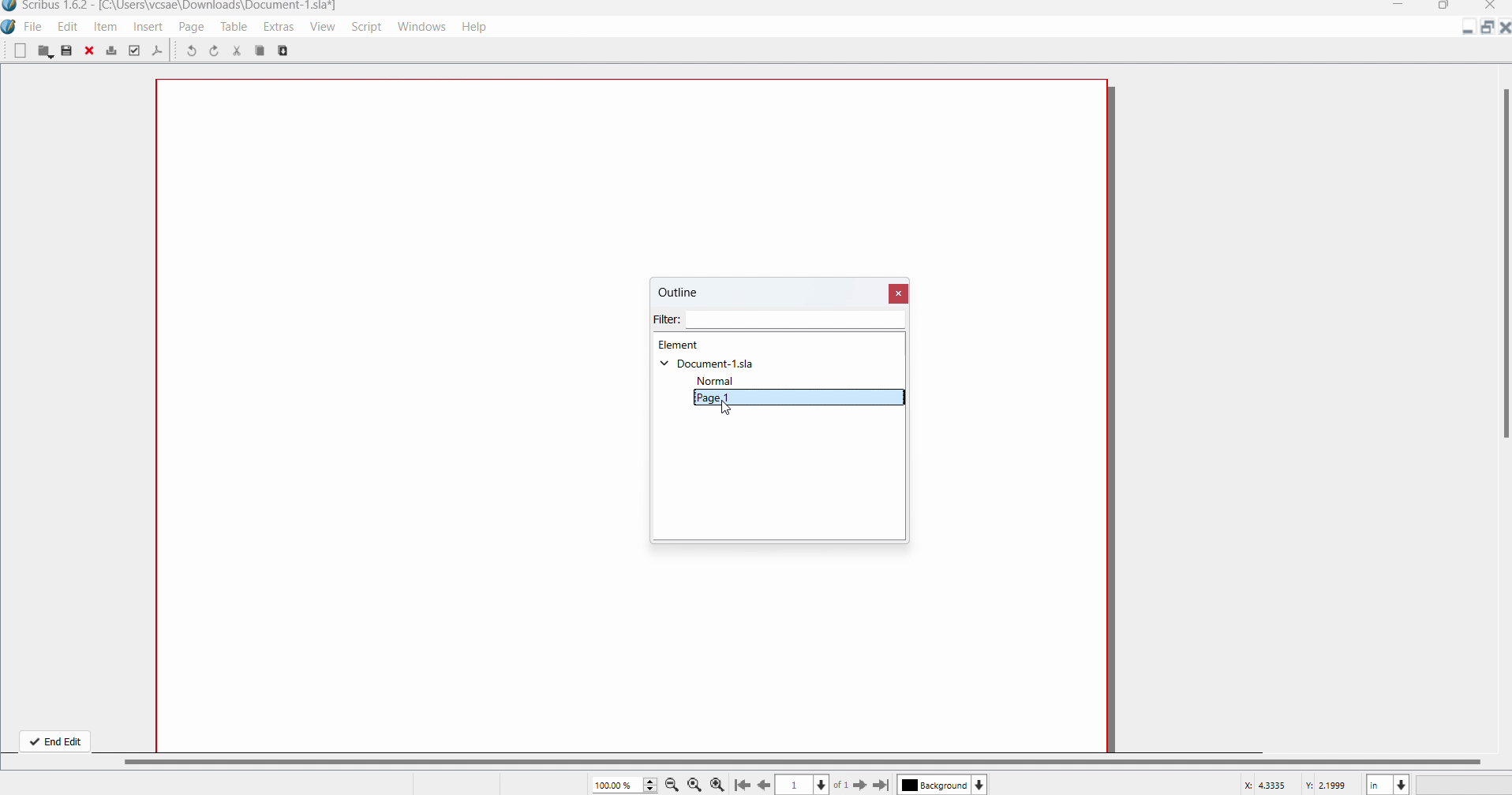  What do you see at coordinates (781, 322) in the screenshot?
I see `Filter` at bounding box center [781, 322].